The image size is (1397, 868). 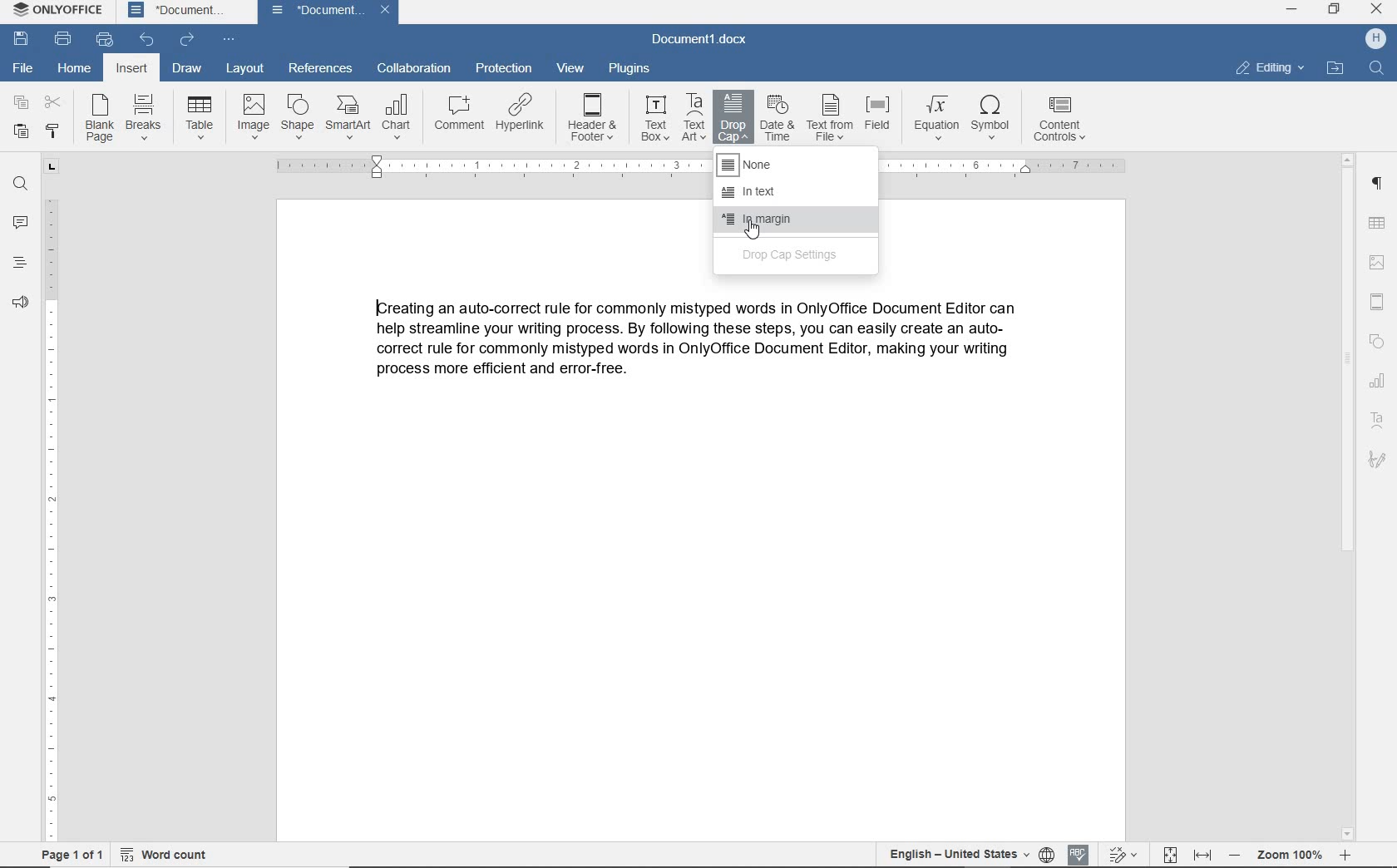 What do you see at coordinates (776, 119) in the screenshot?
I see `date & time` at bounding box center [776, 119].